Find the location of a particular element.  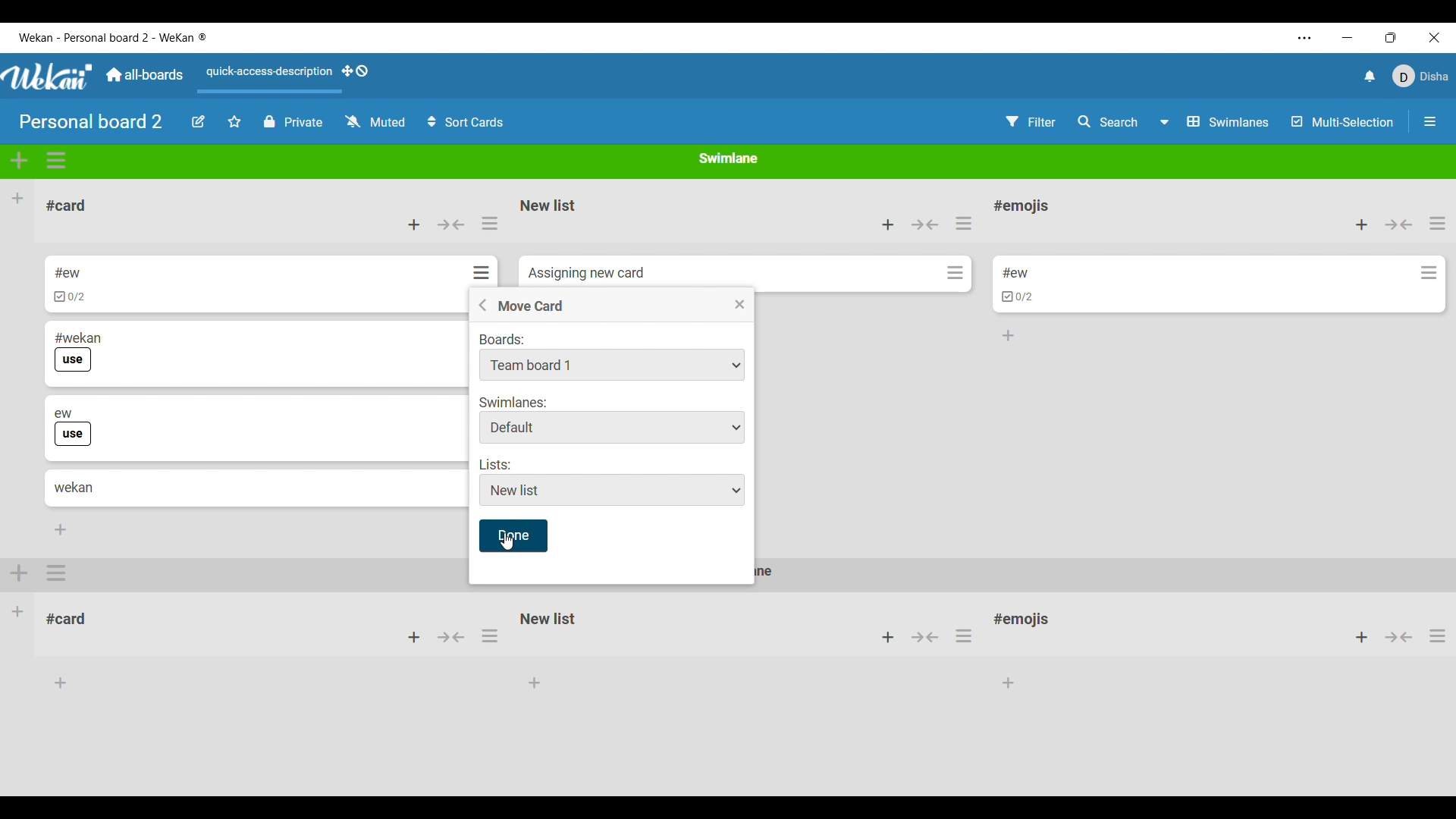

add is located at coordinates (413, 638).